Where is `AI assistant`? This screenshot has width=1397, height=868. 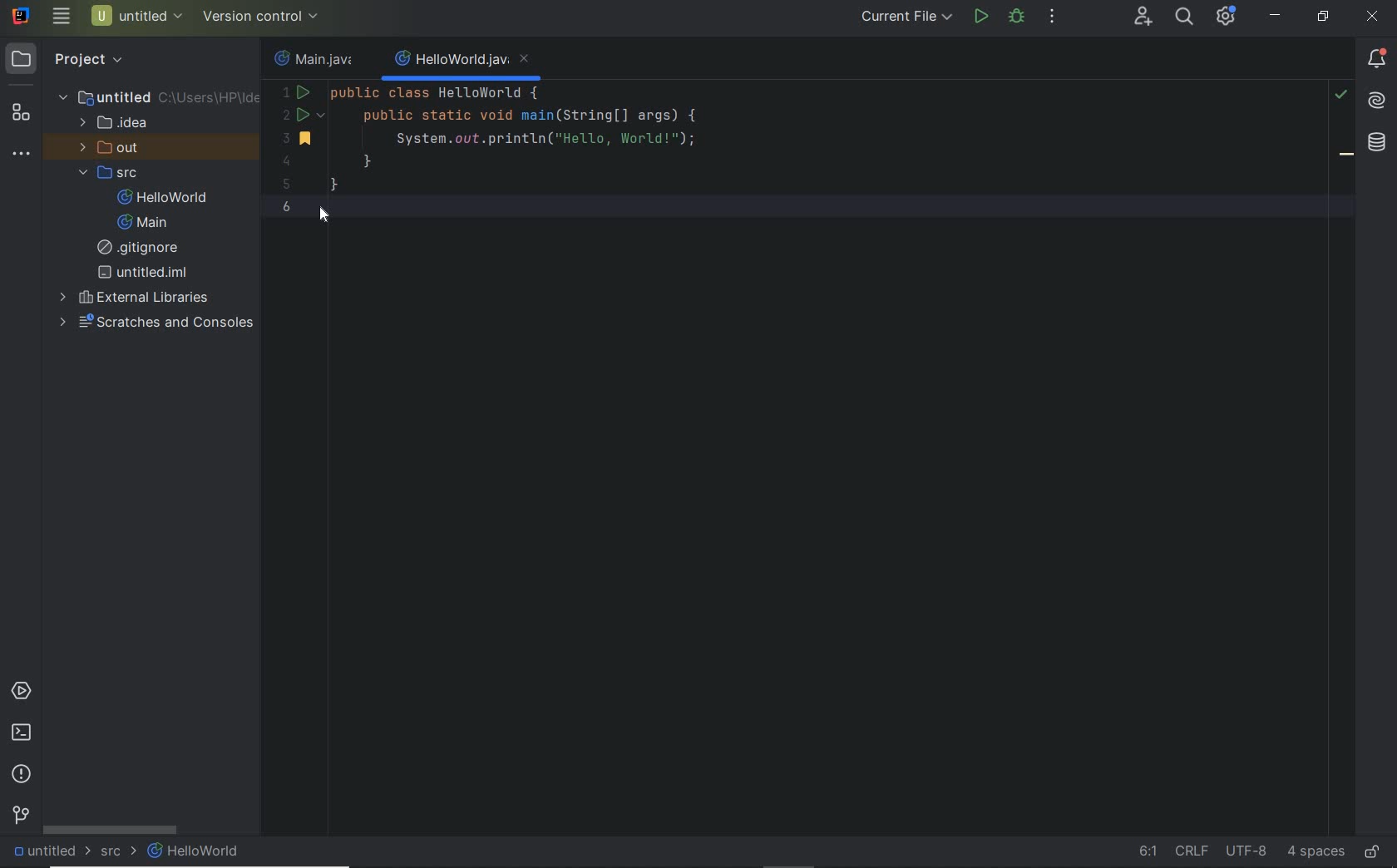 AI assistant is located at coordinates (1375, 101).